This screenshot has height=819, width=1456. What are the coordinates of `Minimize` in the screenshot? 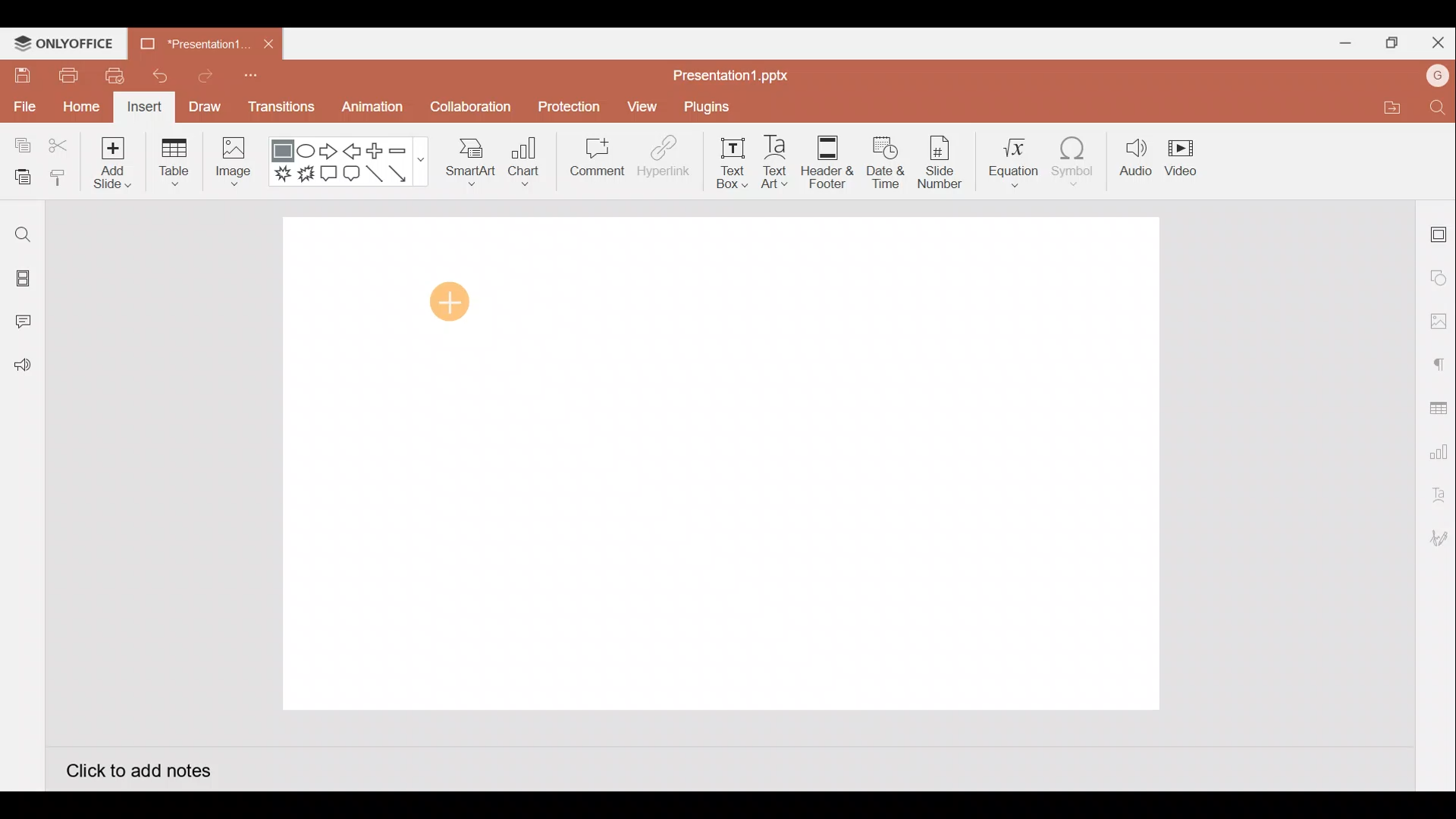 It's located at (1339, 40).